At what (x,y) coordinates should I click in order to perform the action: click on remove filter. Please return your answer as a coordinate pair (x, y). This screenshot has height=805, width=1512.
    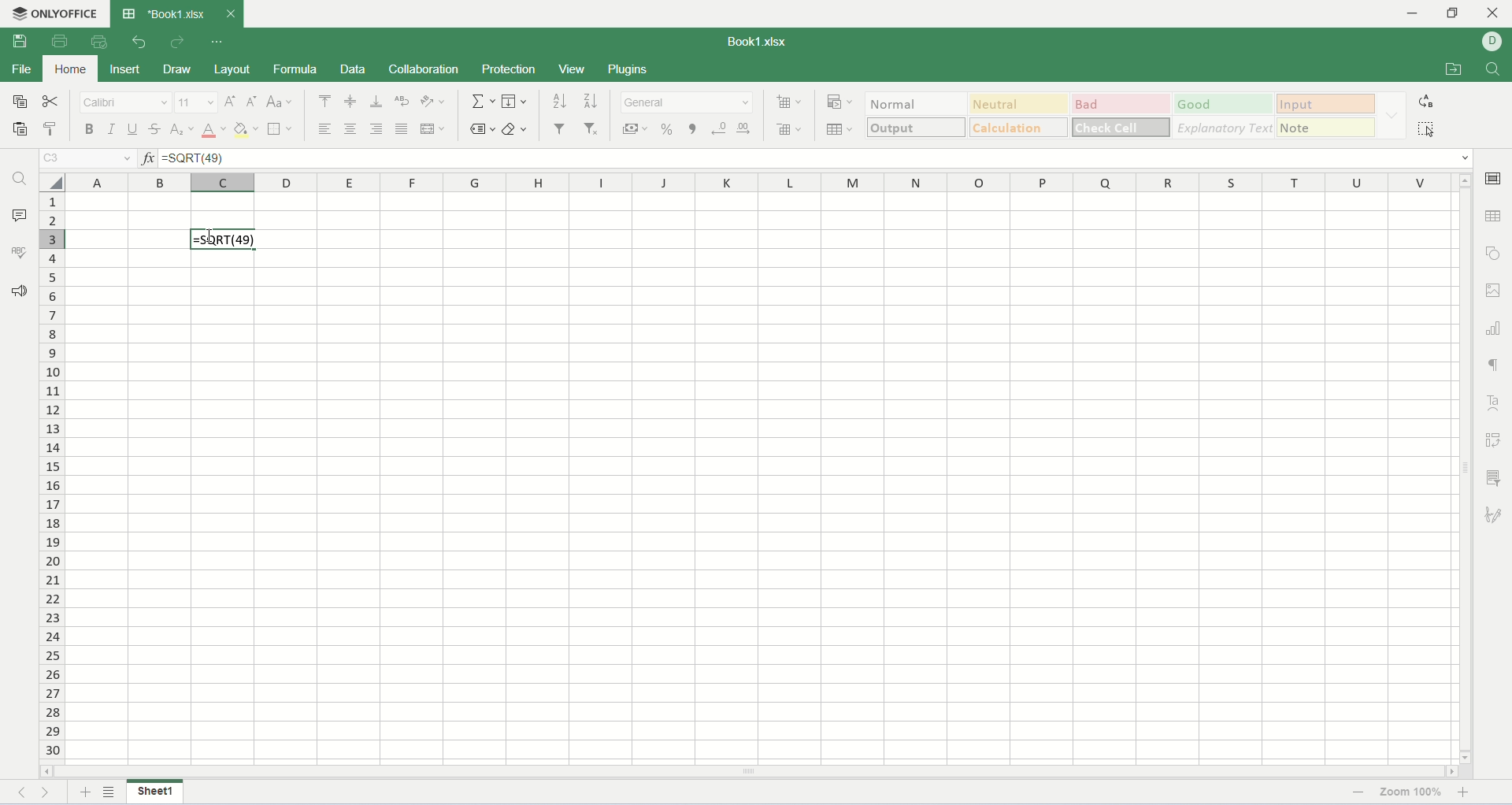
    Looking at the image, I should click on (590, 129).